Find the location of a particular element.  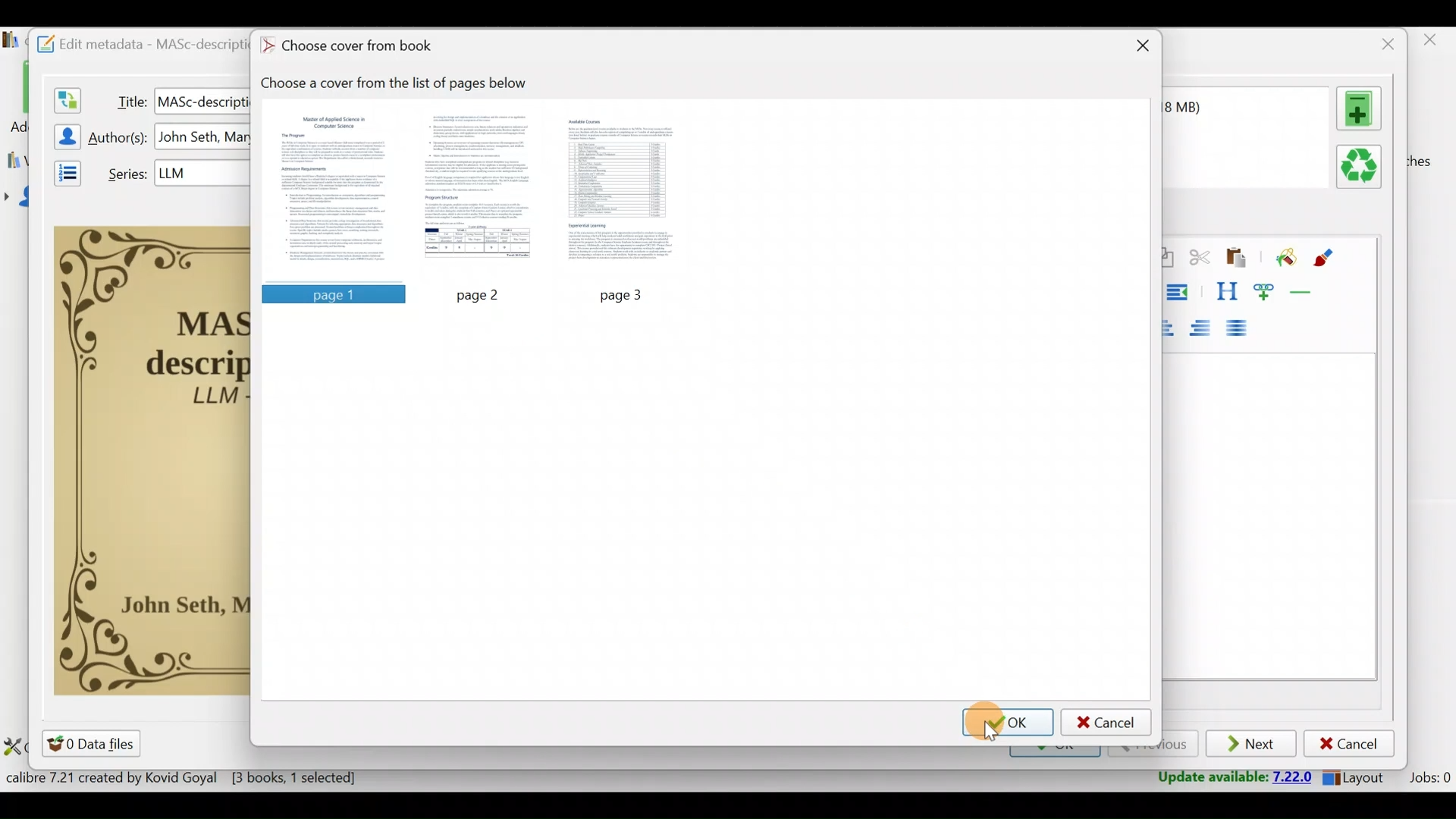

Page 2 is located at coordinates (479, 190).